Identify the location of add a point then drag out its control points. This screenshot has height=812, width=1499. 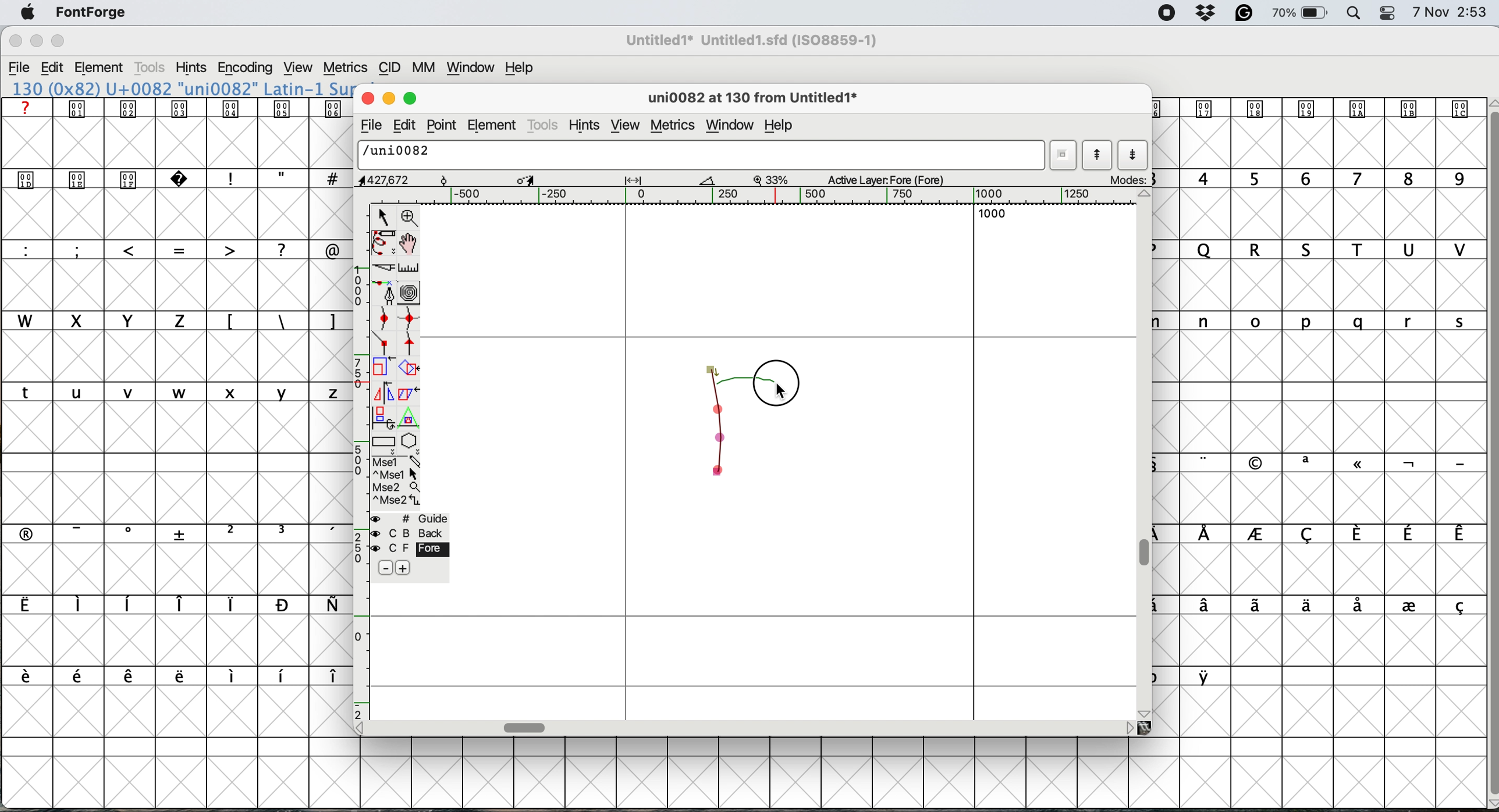
(385, 294).